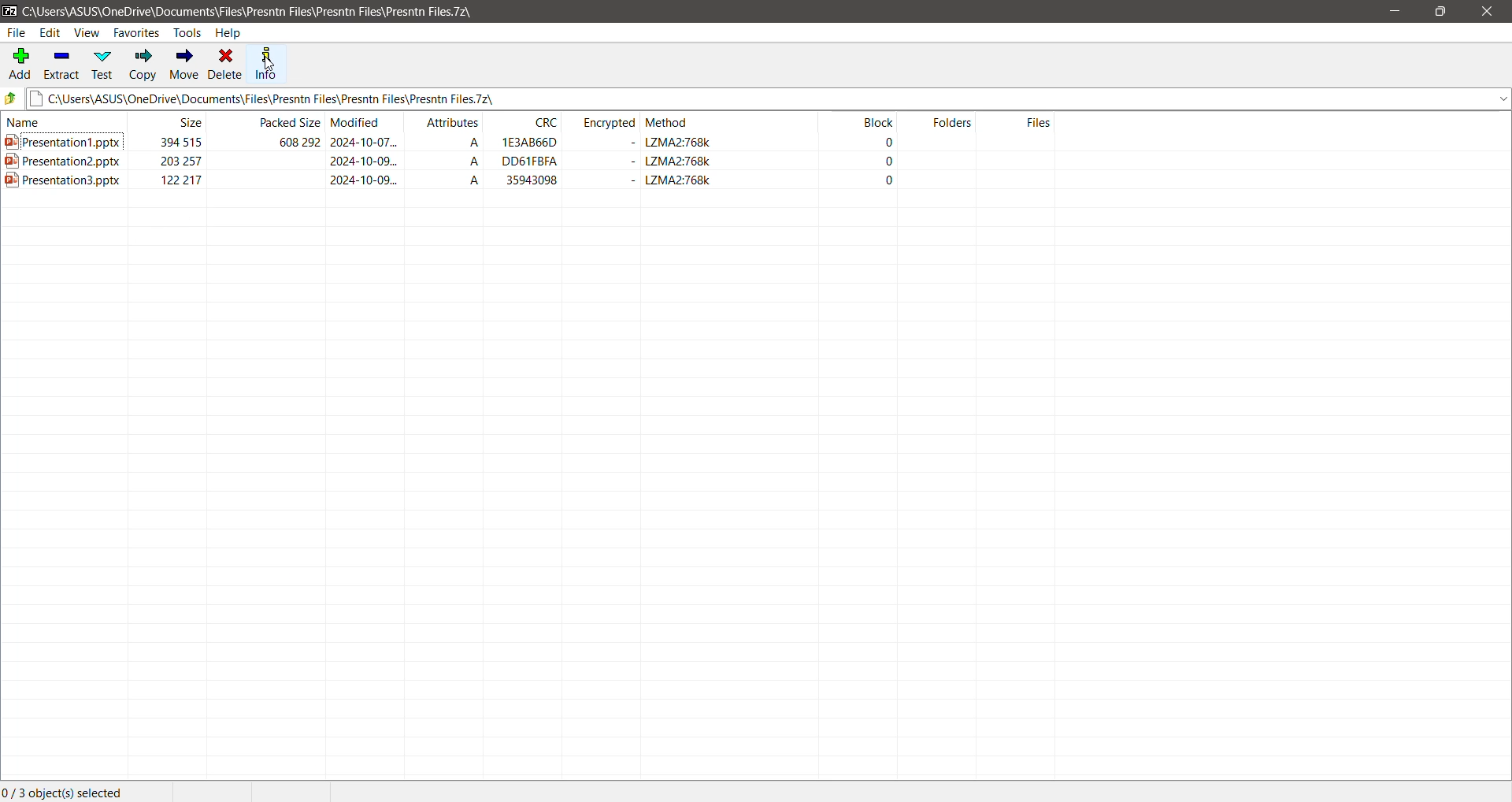 The width and height of the screenshot is (1512, 802). I want to click on name, so click(32, 125).